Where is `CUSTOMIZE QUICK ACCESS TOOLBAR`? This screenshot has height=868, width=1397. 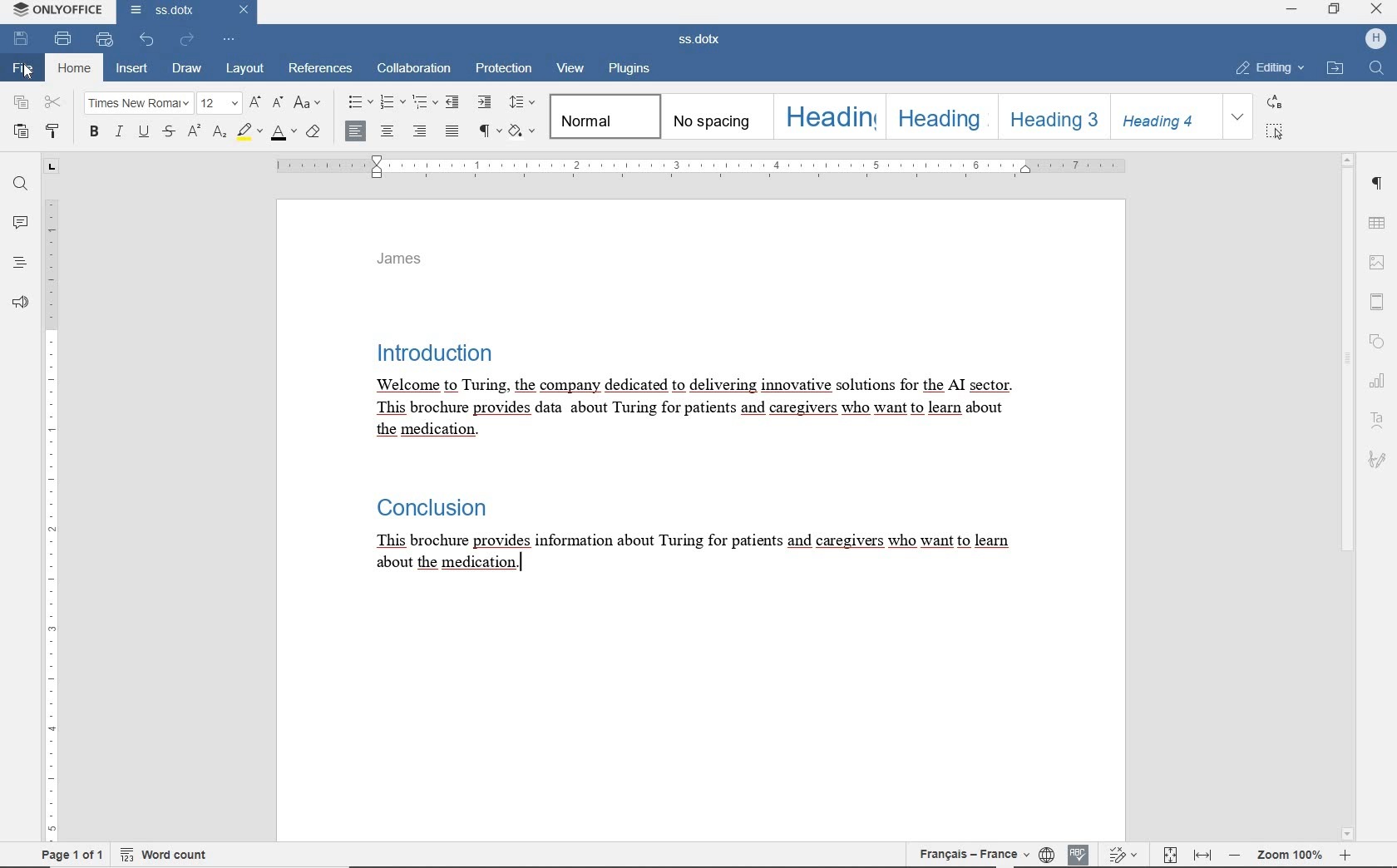
CUSTOMIZE QUICK ACCESS TOOLBAR is located at coordinates (228, 42).